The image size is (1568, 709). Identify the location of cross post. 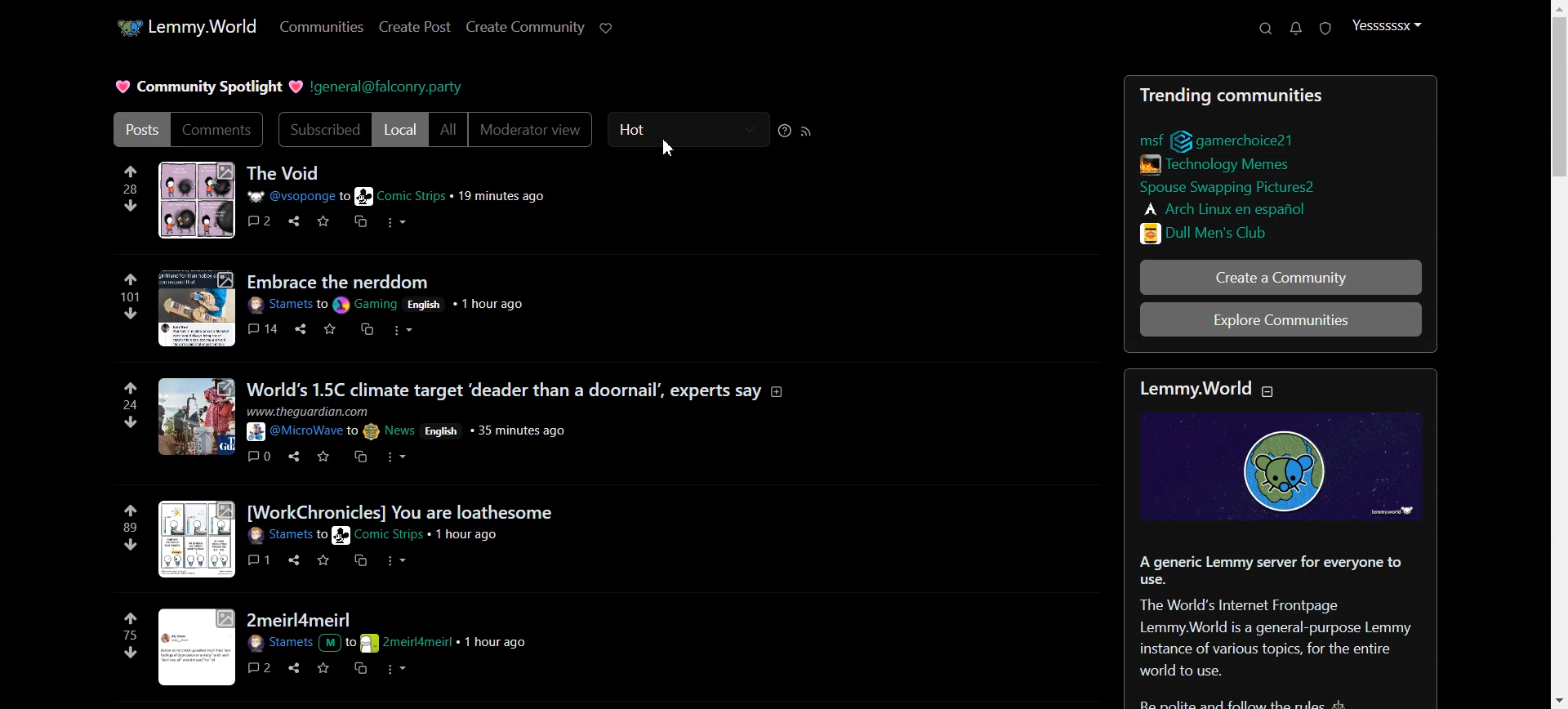
(359, 560).